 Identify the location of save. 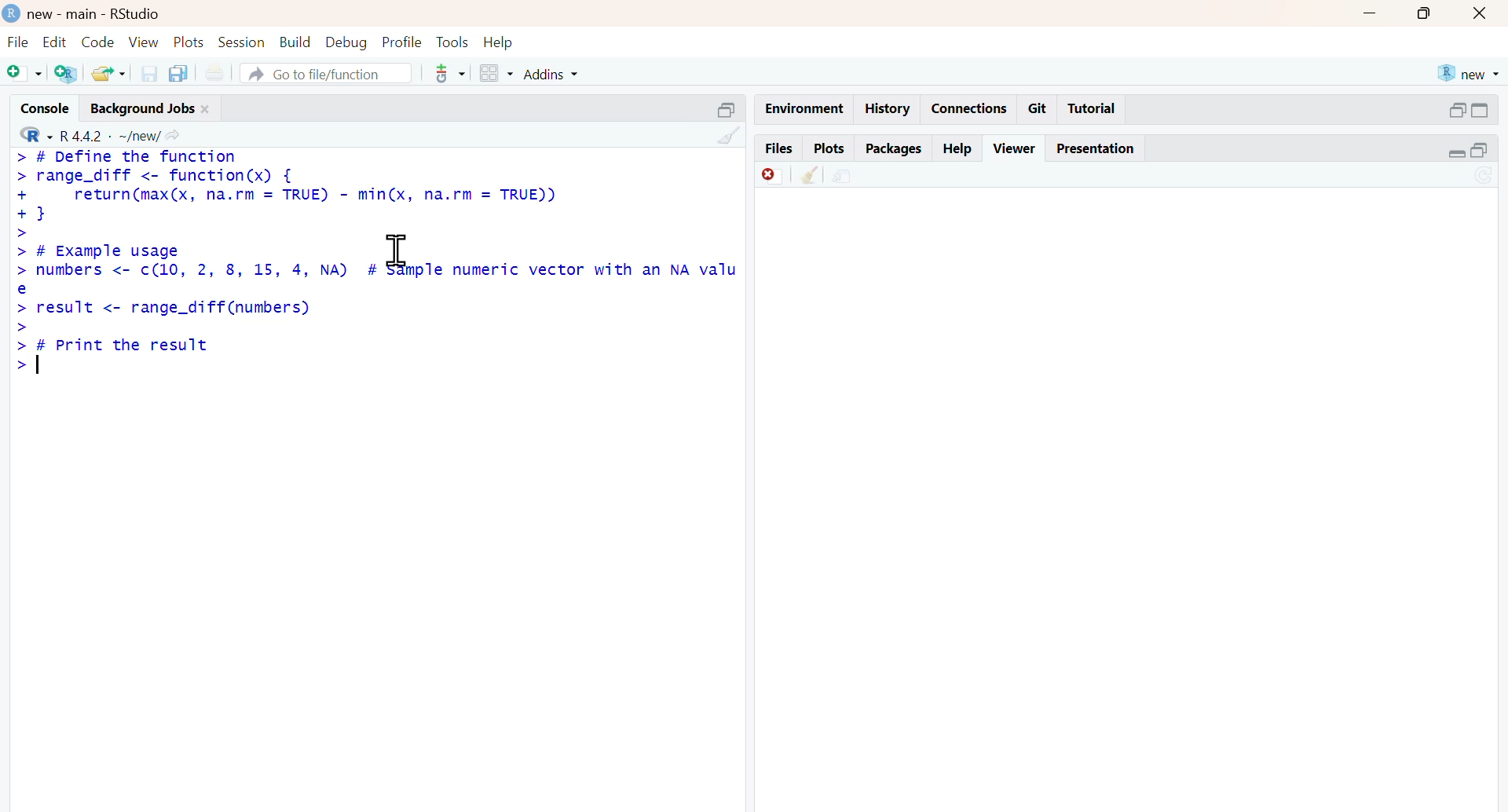
(151, 74).